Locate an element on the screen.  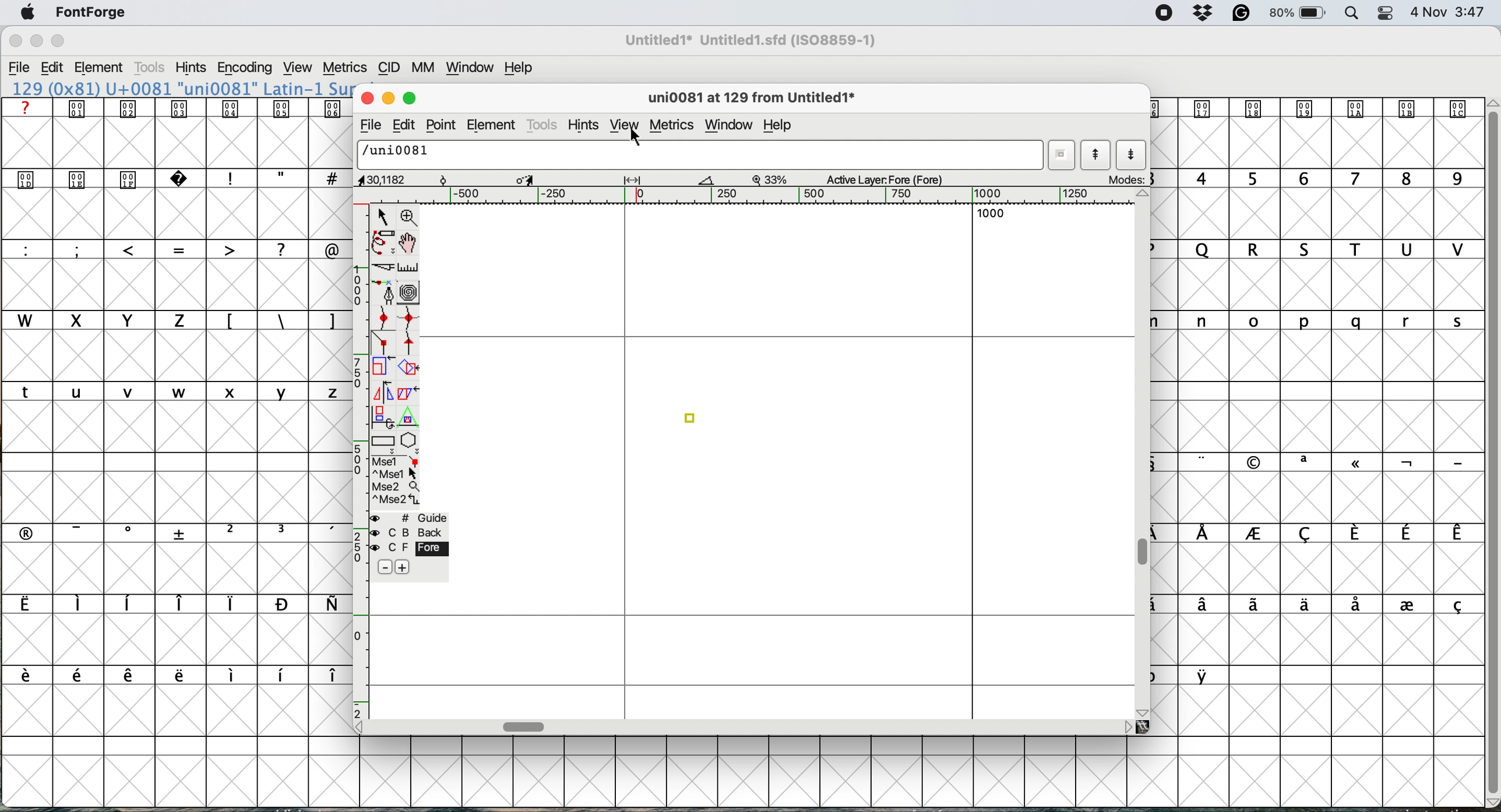
Scroll Button  is located at coordinates (1145, 193).